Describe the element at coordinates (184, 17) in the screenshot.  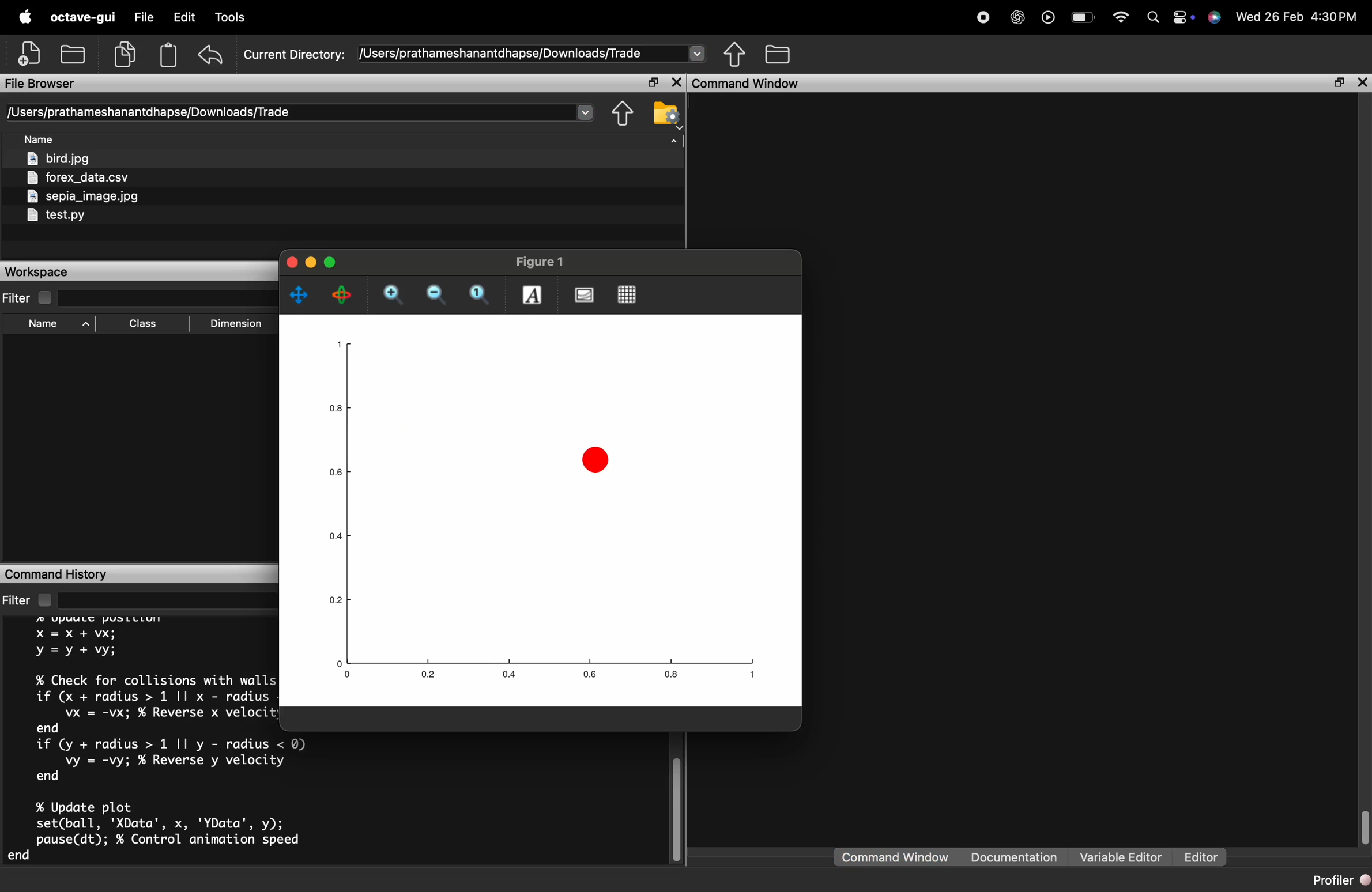
I see `edit` at that location.